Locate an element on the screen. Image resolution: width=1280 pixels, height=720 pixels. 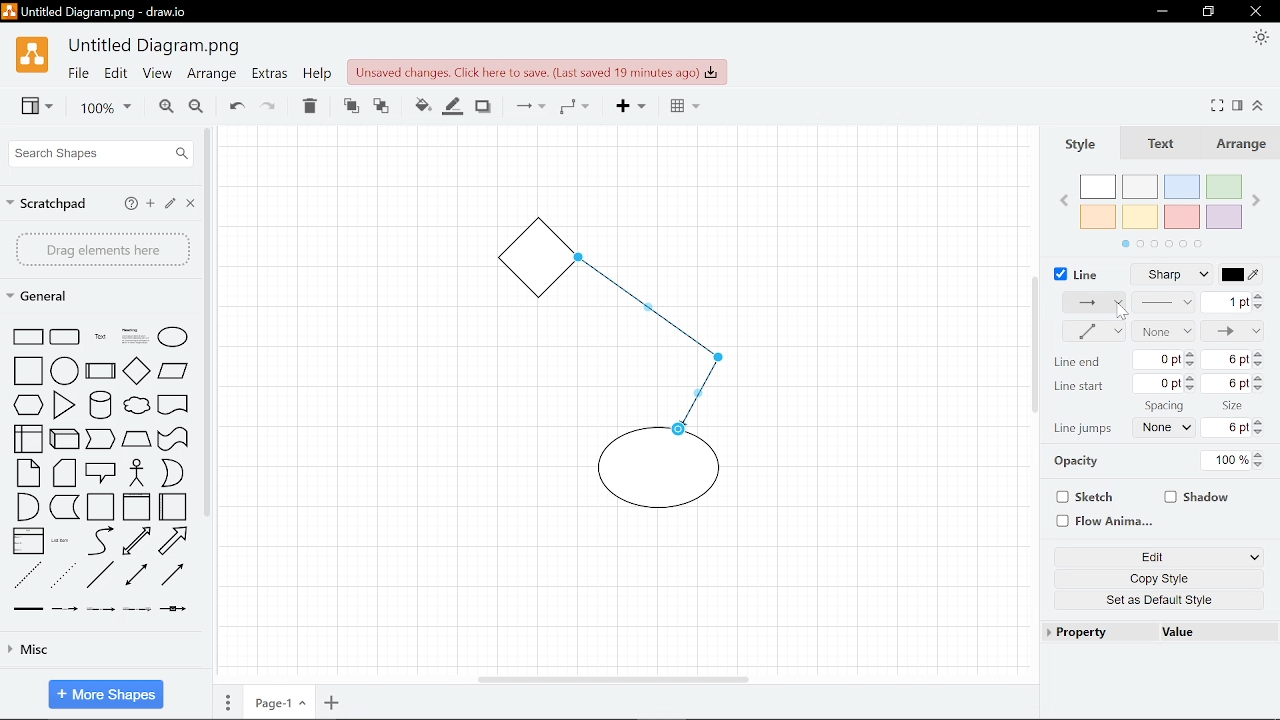
Decrease is located at coordinates (1259, 366).